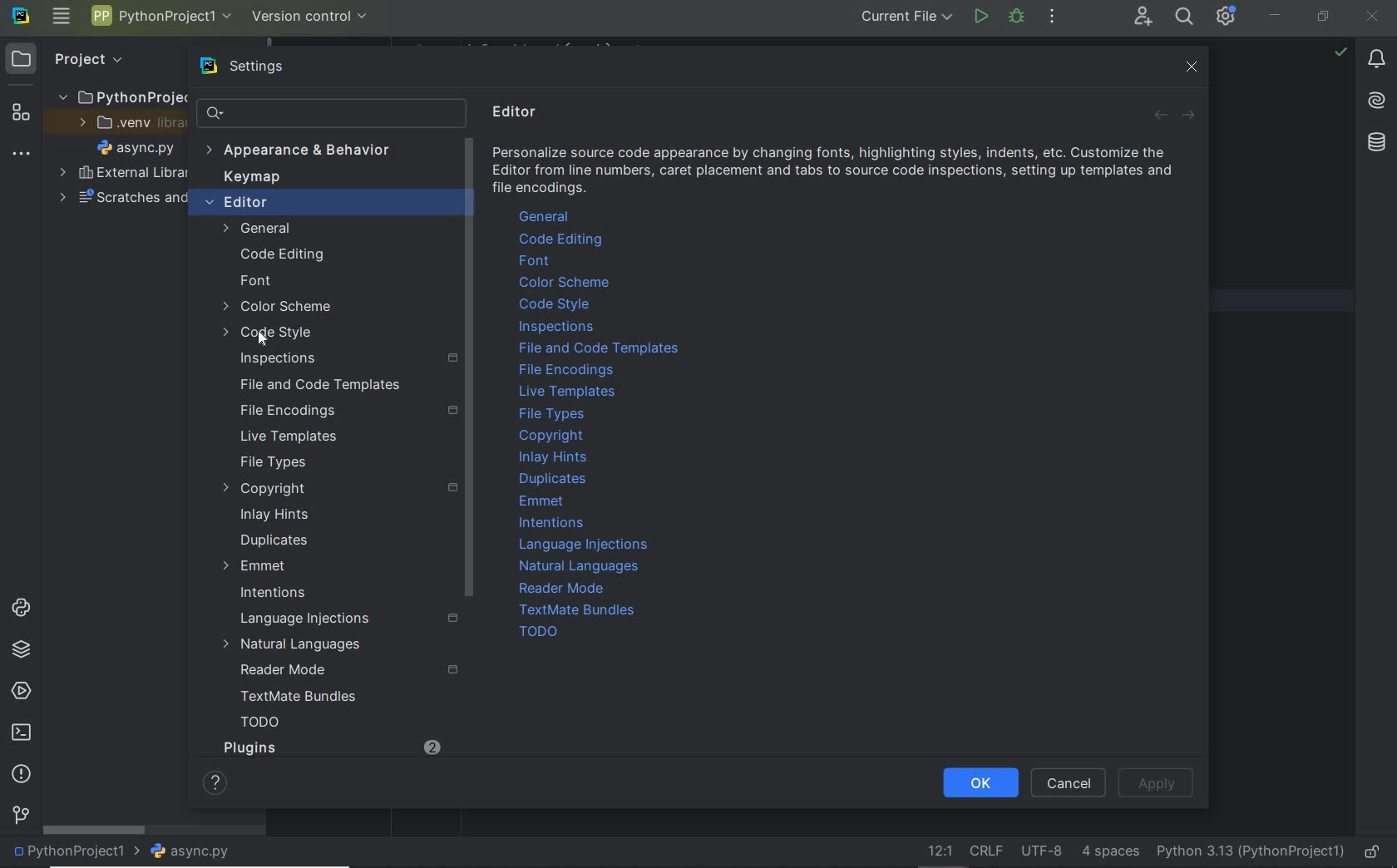  What do you see at coordinates (537, 631) in the screenshot?
I see `TODO` at bounding box center [537, 631].